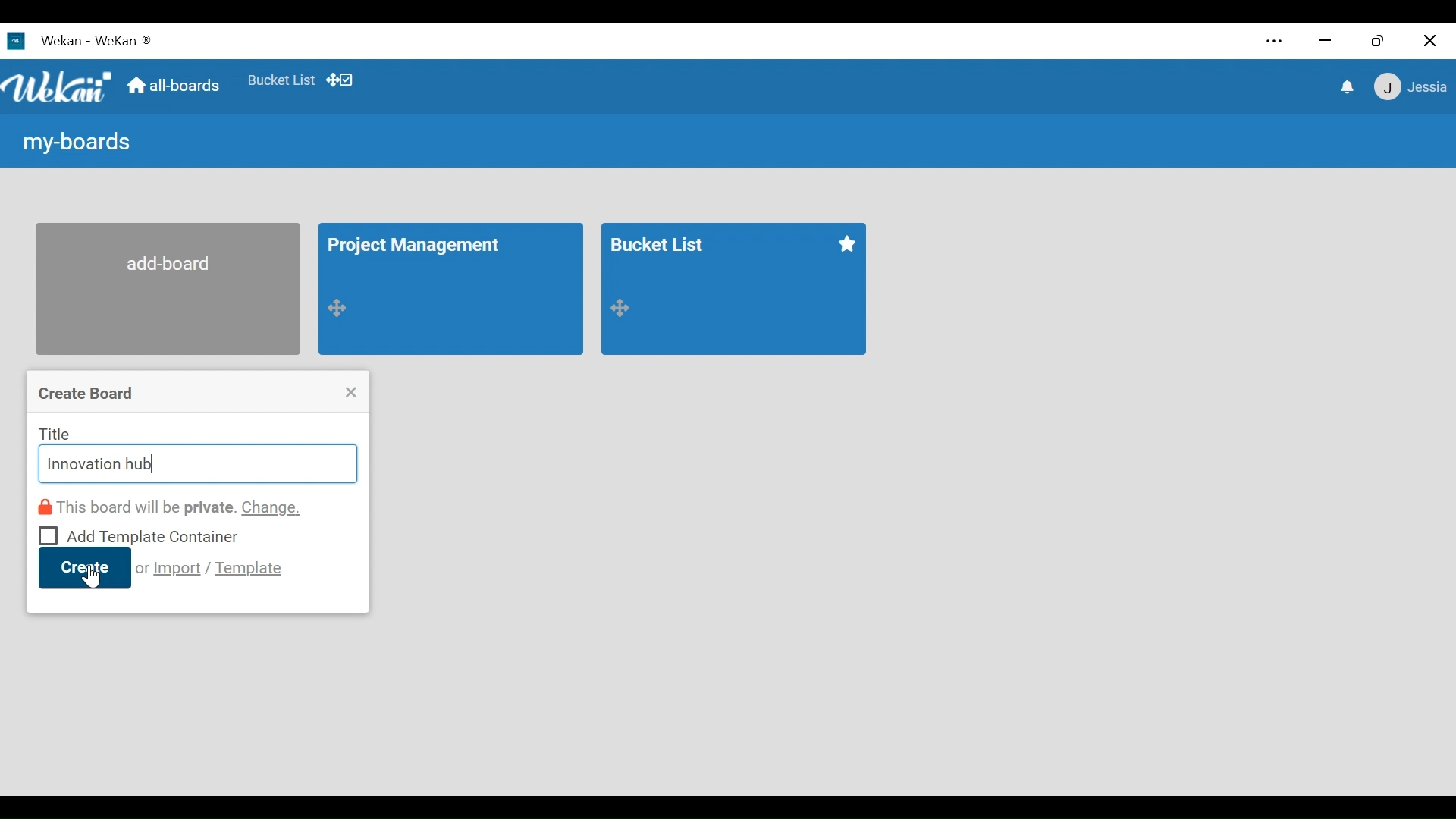  Describe the element at coordinates (1429, 40) in the screenshot. I see `Close` at that location.